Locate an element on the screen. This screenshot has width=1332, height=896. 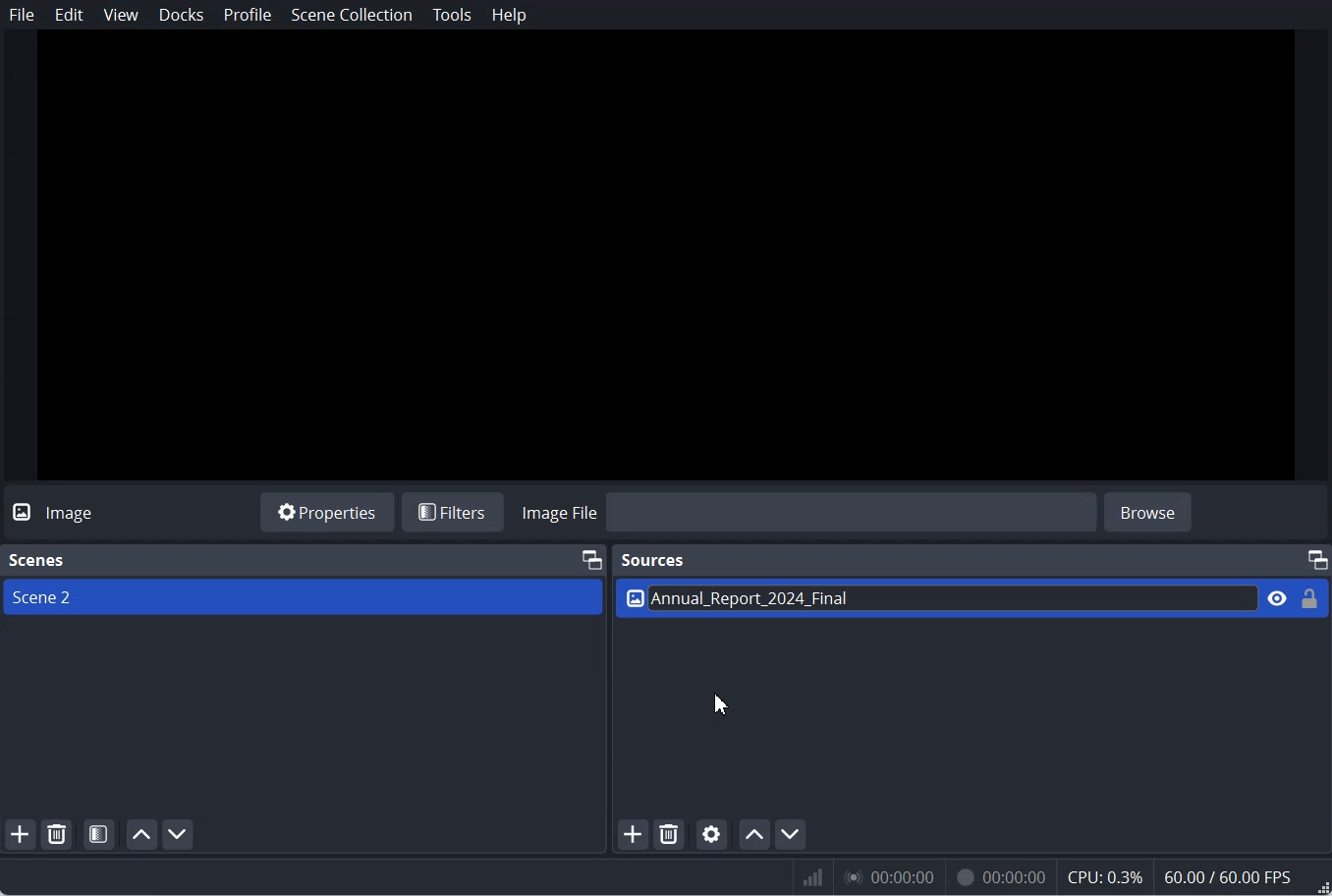
Open source Properties is located at coordinates (711, 833).